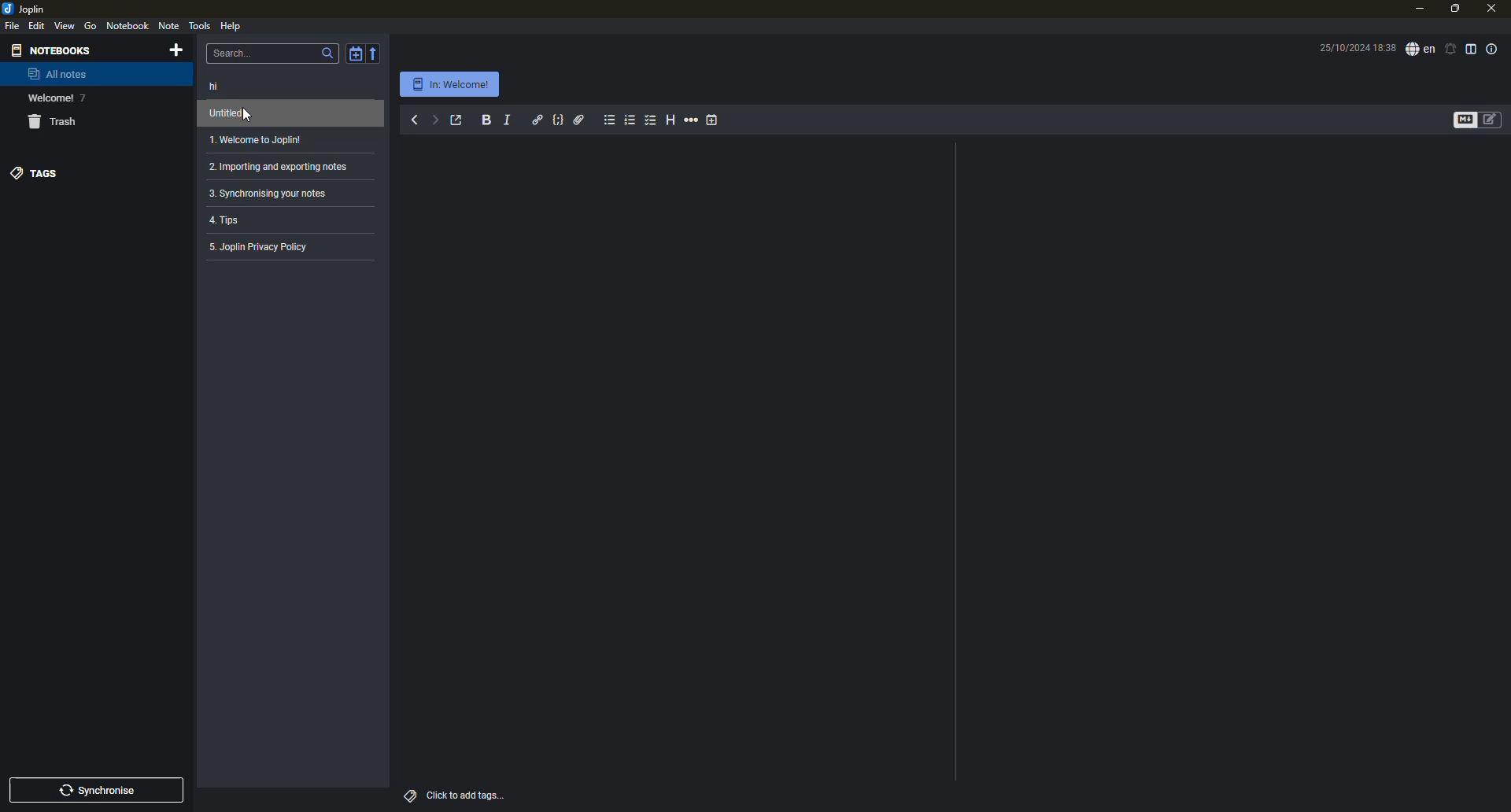 This screenshot has height=812, width=1511. Describe the element at coordinates (413, 119) in the screenshot. I see `back` at that location.